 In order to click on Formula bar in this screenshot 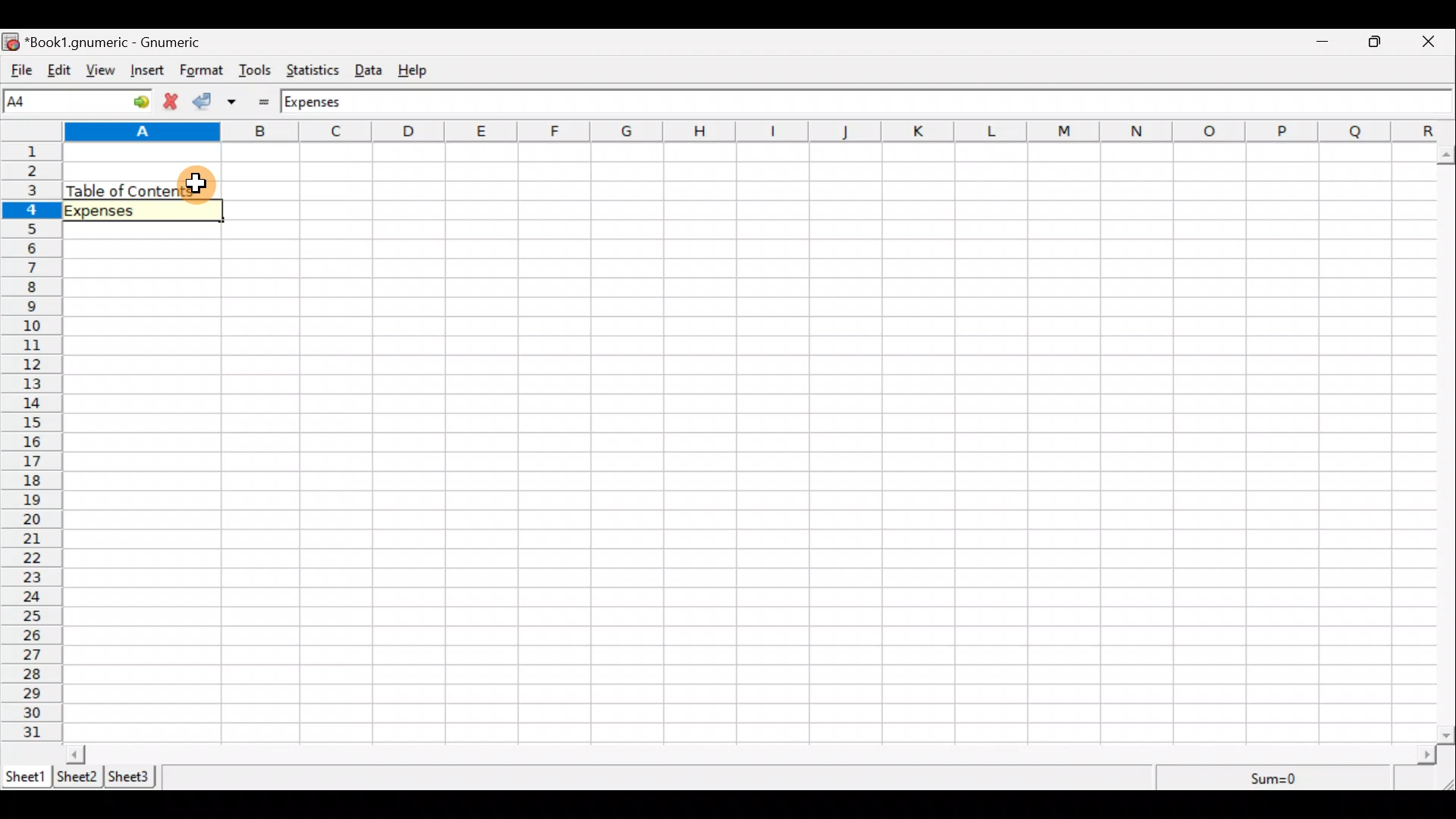, I will do `click(860, 100)`.